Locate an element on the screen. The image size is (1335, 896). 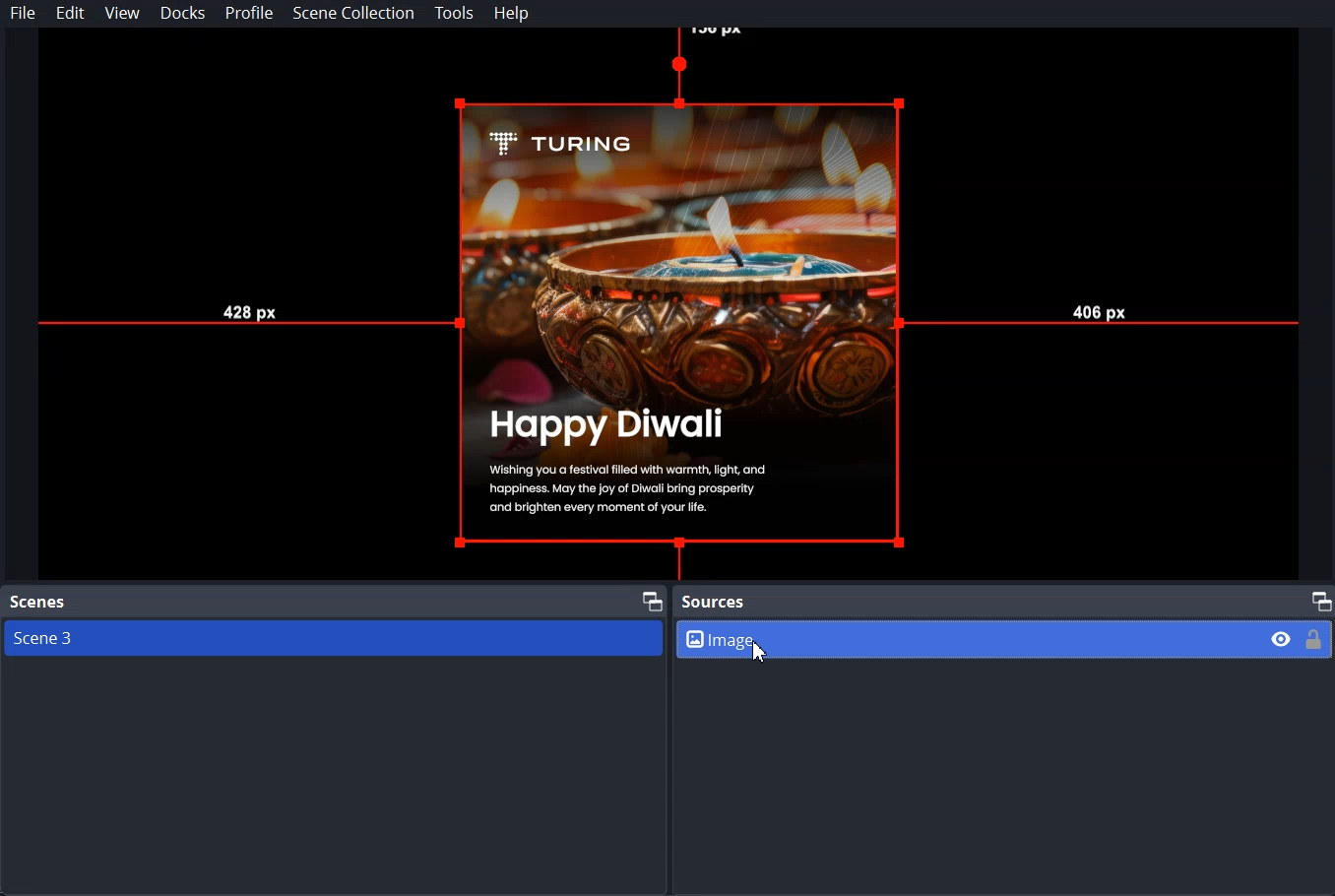
Help is located at coordinates (512, 14).